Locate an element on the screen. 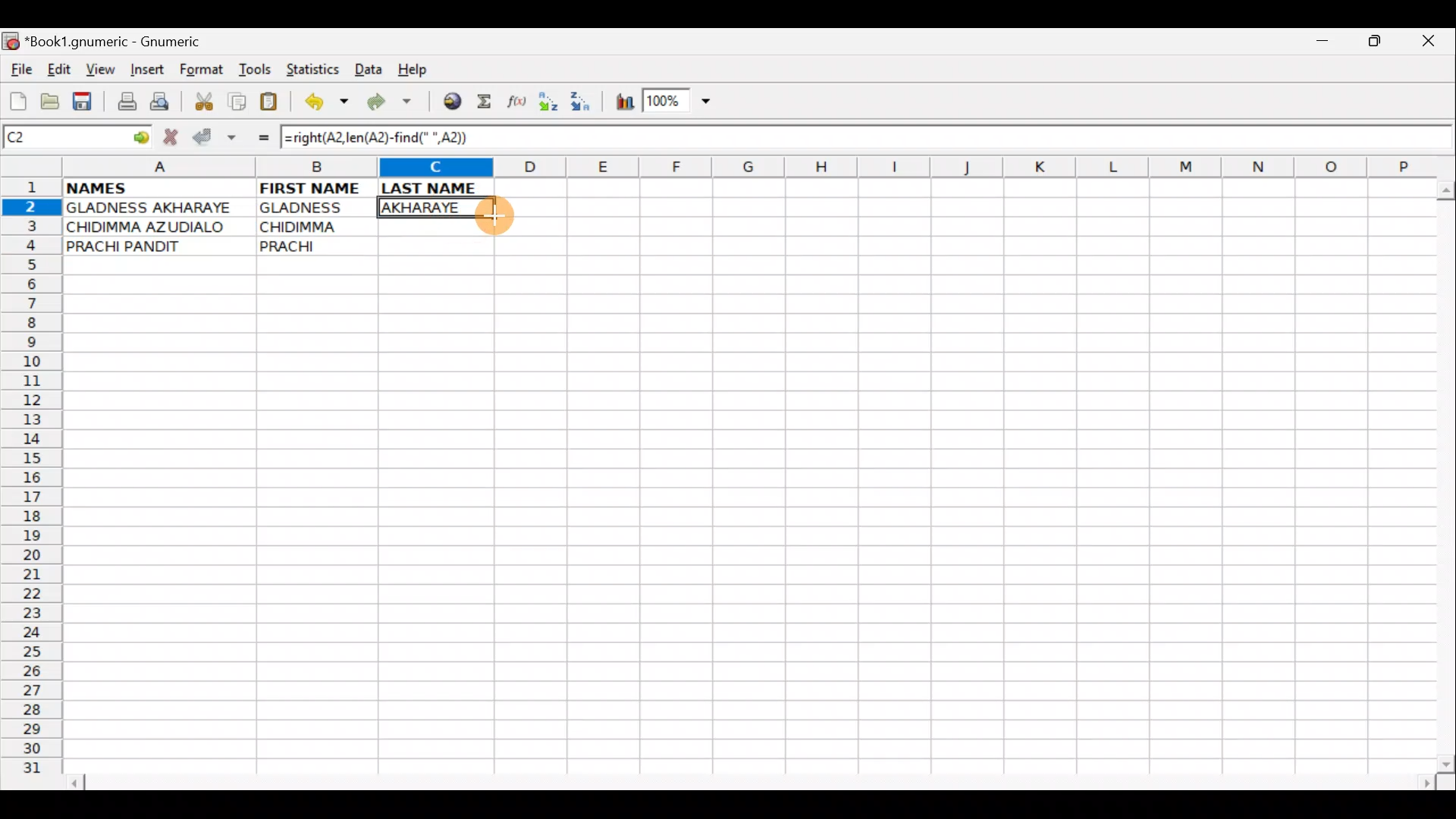 This screenshot has height=819, width=1456. Edit function in the current cell is located at coordinates (519, 105).